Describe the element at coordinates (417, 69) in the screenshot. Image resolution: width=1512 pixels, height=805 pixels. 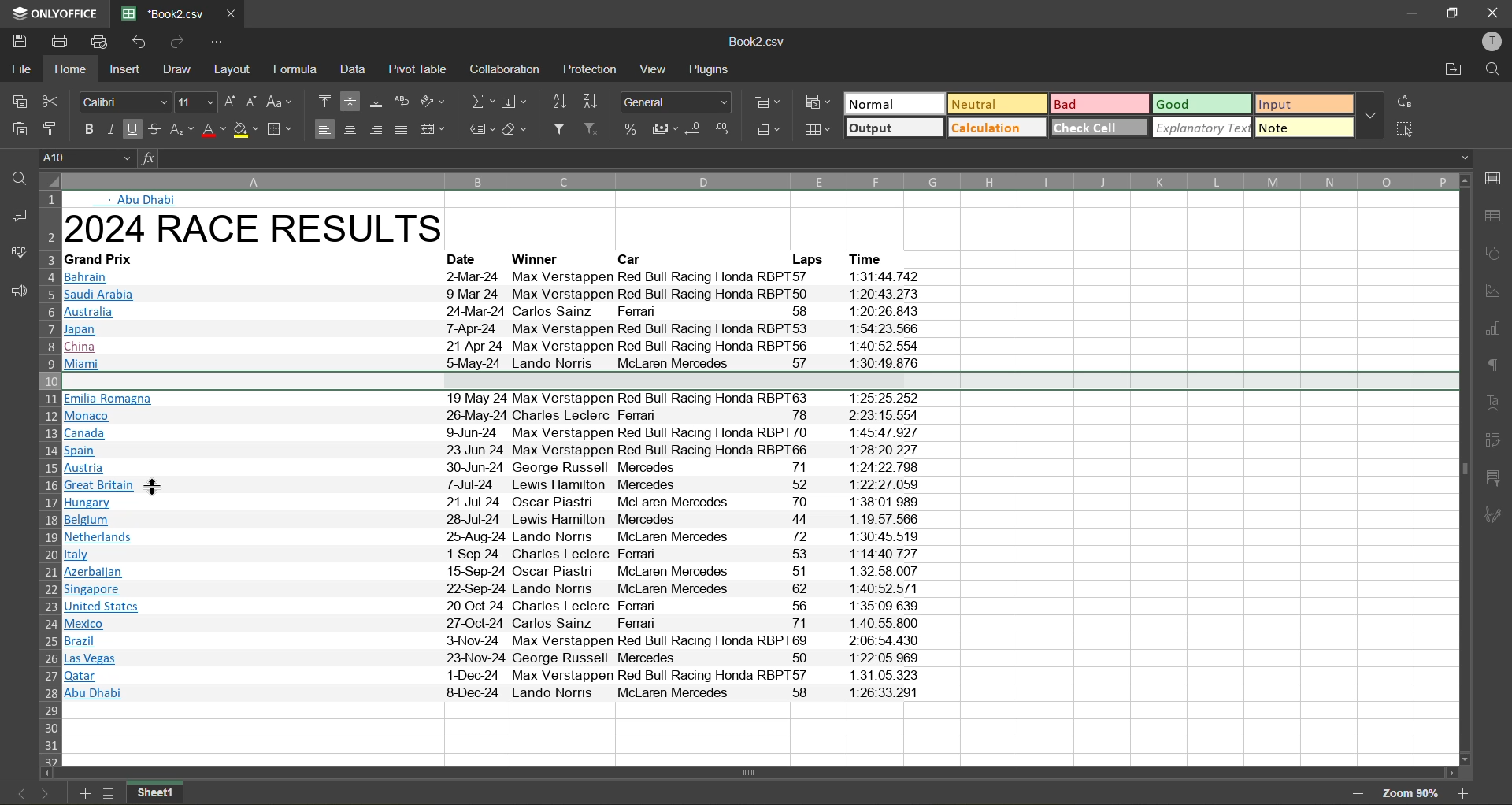
I see `pivot table` at that location.